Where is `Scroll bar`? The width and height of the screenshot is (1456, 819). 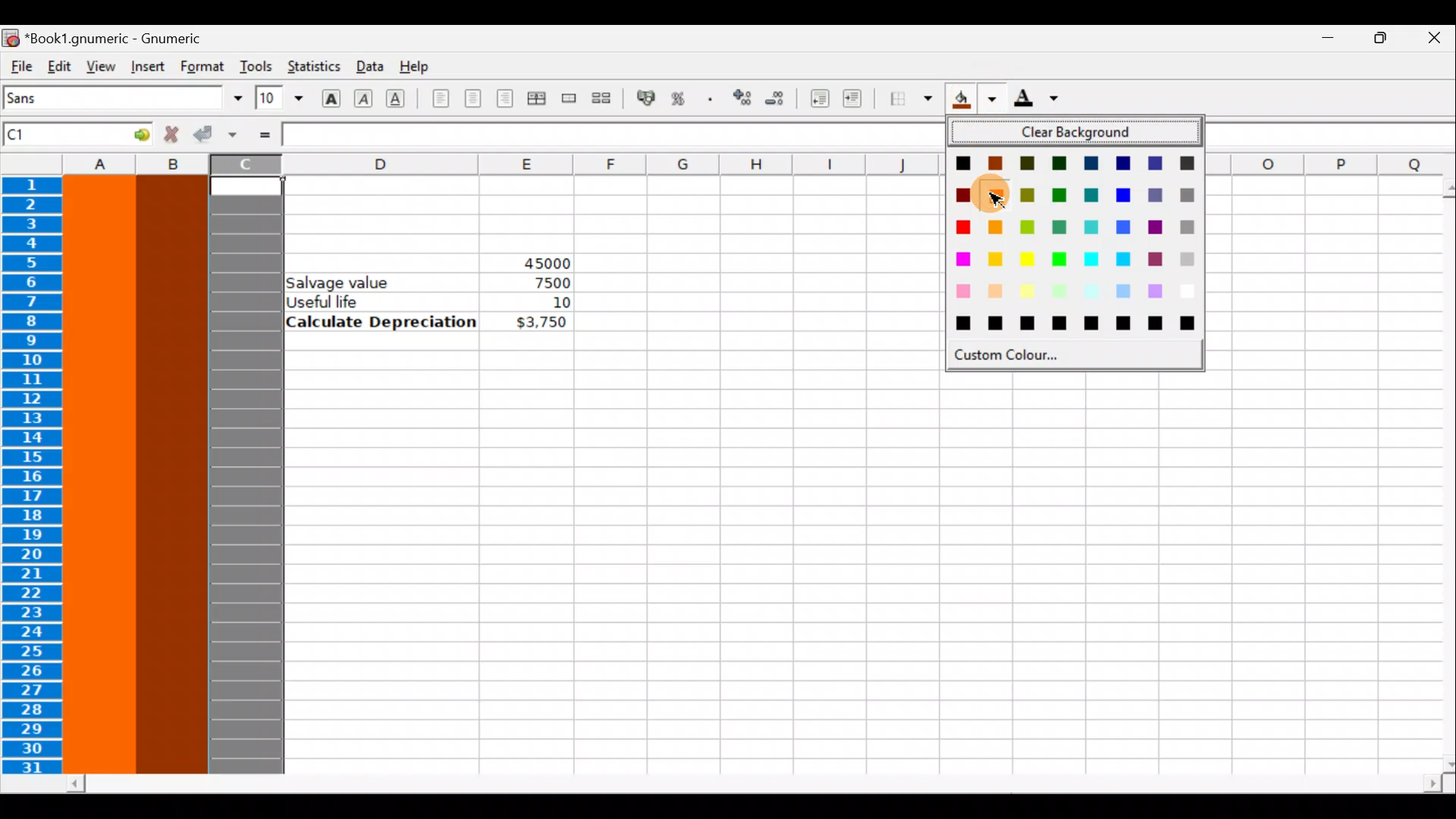
Scroll bar is located at coordinates (1438, 475).